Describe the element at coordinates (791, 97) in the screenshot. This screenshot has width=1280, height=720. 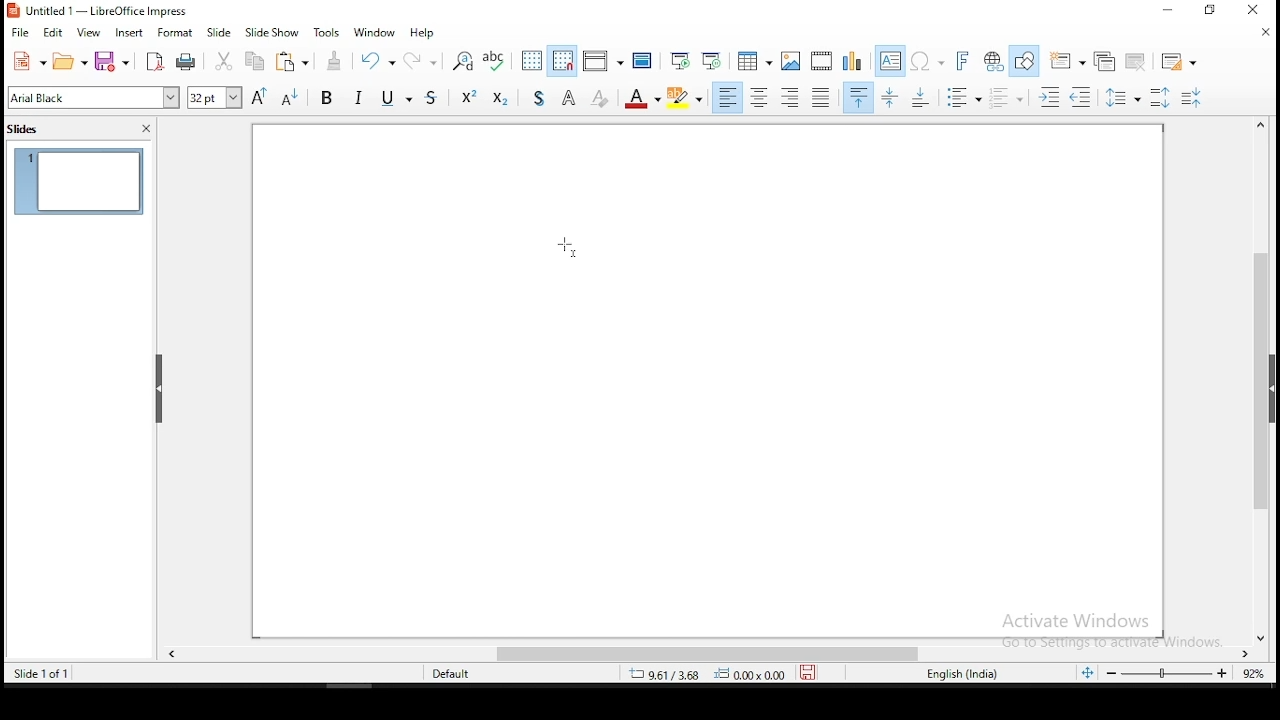
I see `Right Align` at that location.